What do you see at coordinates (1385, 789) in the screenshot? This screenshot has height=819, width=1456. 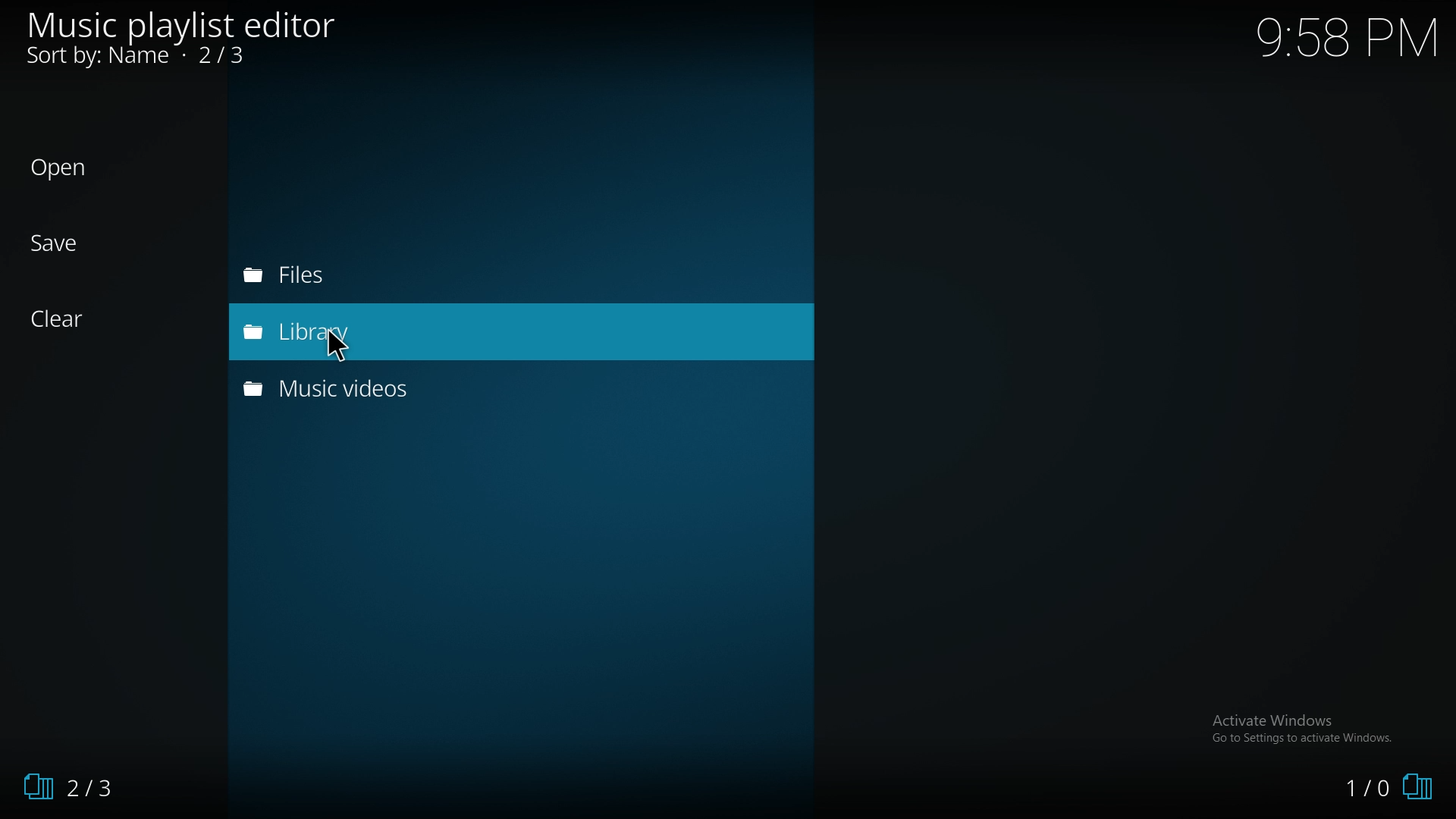 I see `1/0` at bounding box center [1385, 789].